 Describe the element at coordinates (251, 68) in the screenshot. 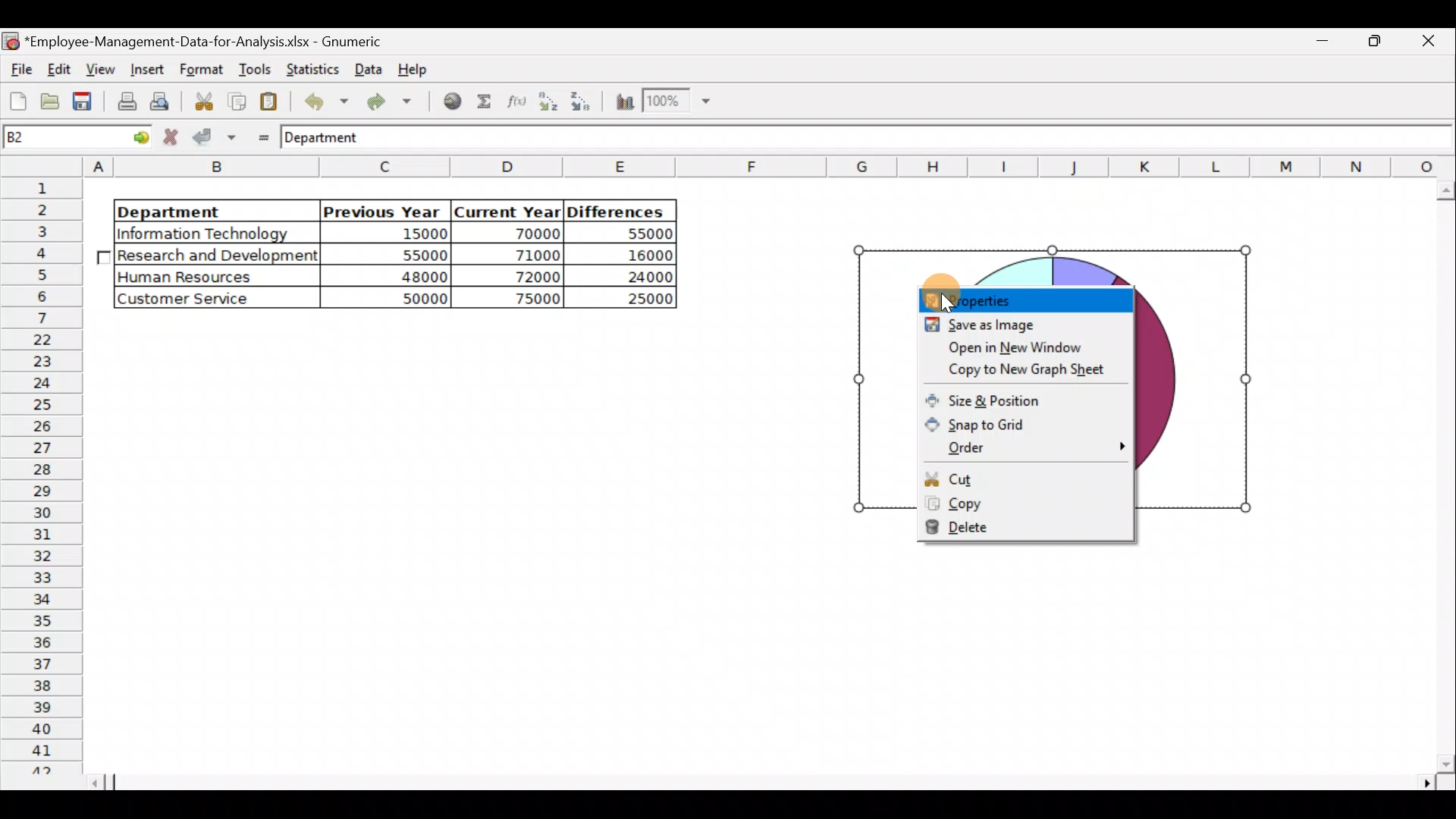

I see `Tools` at that location.